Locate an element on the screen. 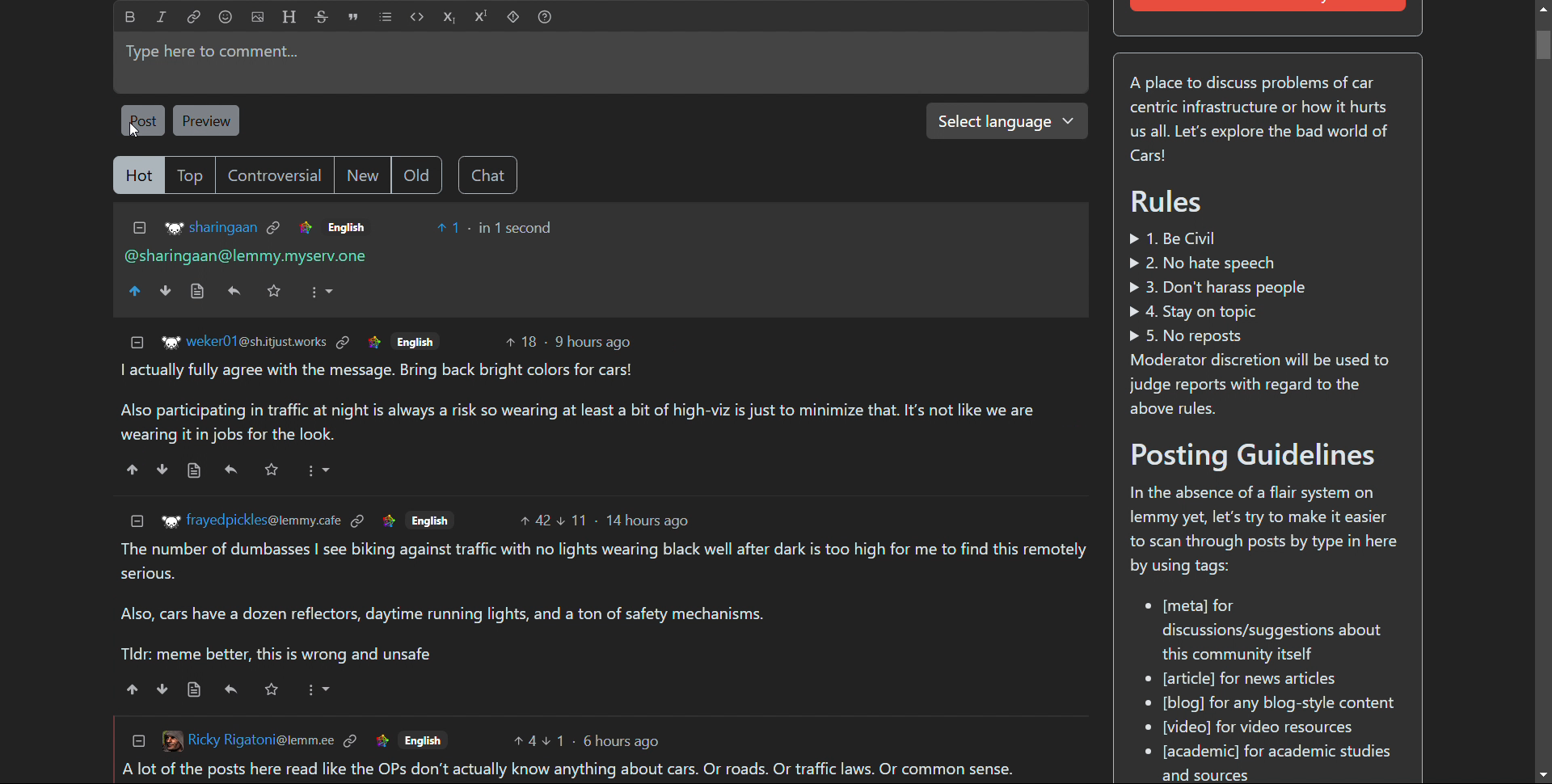 The image size is (1552, 784). A place to discuss problems of car
centric infrastructure or how it hurts
us all. Let's explore the bad world of
Cars!

Rules

» 1. Be Civil

» 2. No hate speech

» 3. Don't harass people

> 4. Stay on topic

» 5. No reposts

Moderator discretion will be used to
judge reports with regard to the
above rules.

Posting Guidelines
In the absence of a flair system on
lemmy yet, let's try to make it easier
to scan through posts by type in here
by using tags:

* [meta] for
discussions/suggestions about
this community itself

eo [article] for news articles

[blog] for any blog-style content

* [video] for video resources

* [academic] for academic studies
and sources is located at coordinates (1267, 424).